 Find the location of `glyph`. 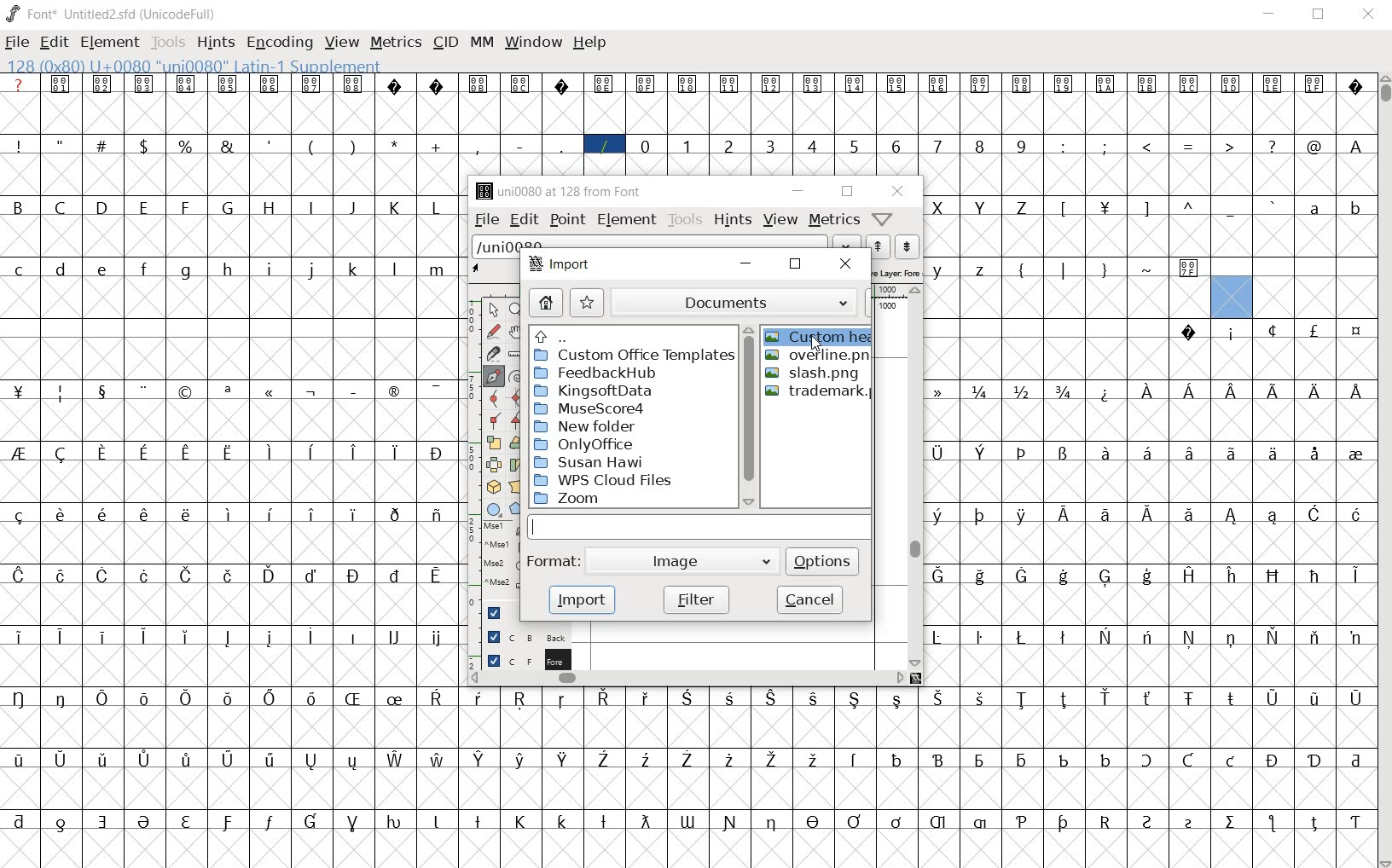

glyph is located at coordinates (437, 147).